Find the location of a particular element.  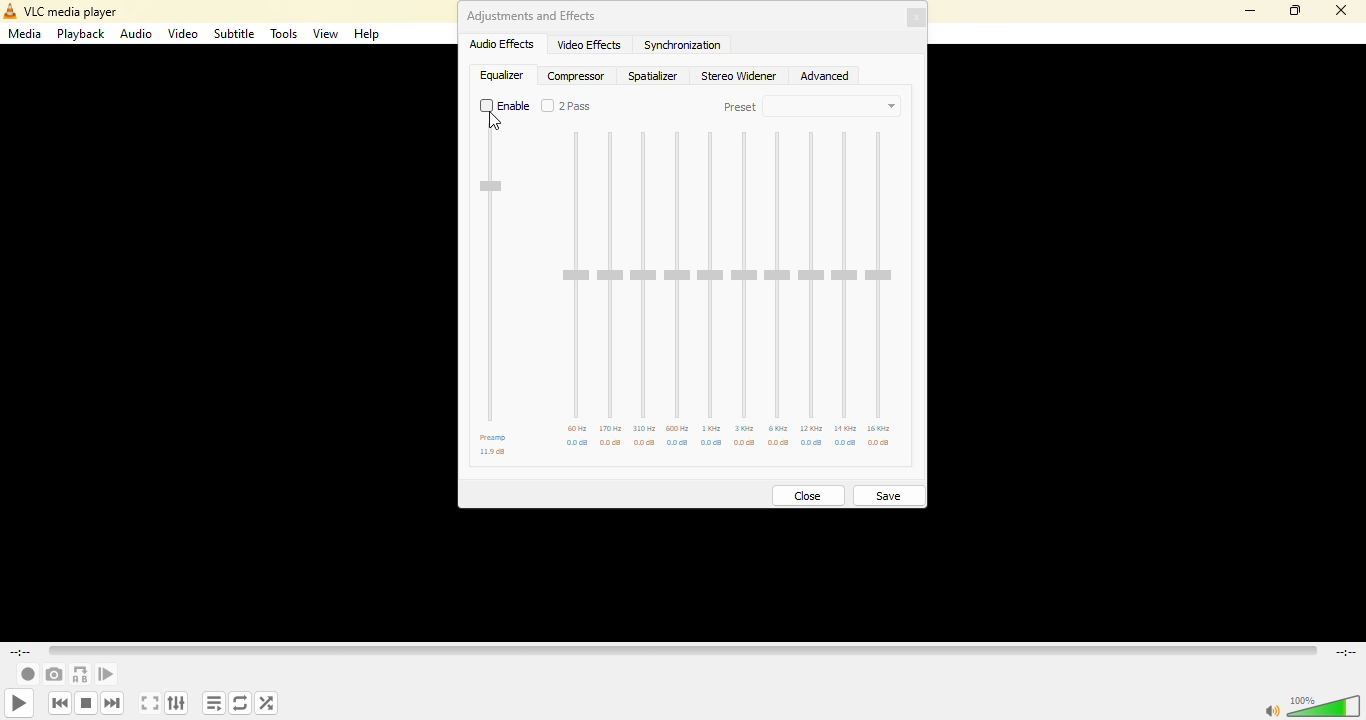

compressor is located at coordinates (578, 76).